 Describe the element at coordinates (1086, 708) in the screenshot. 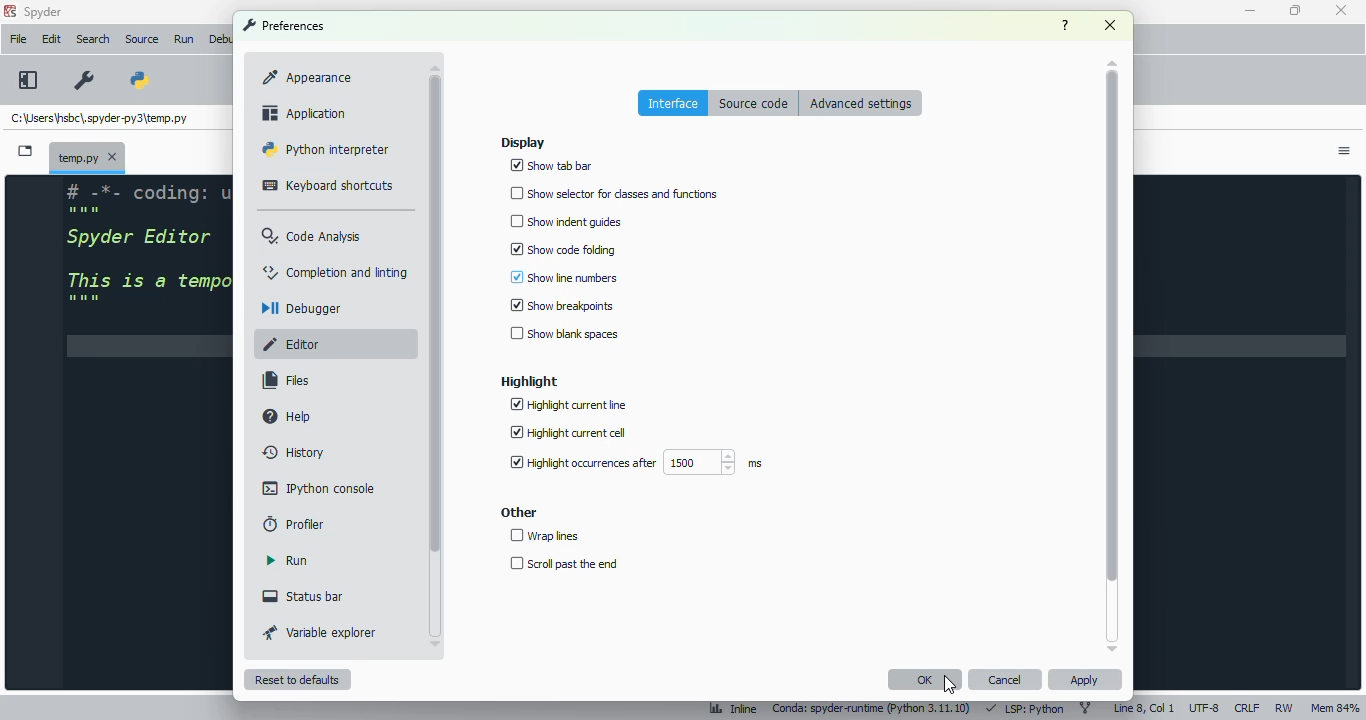

I see `git branch` at that location.